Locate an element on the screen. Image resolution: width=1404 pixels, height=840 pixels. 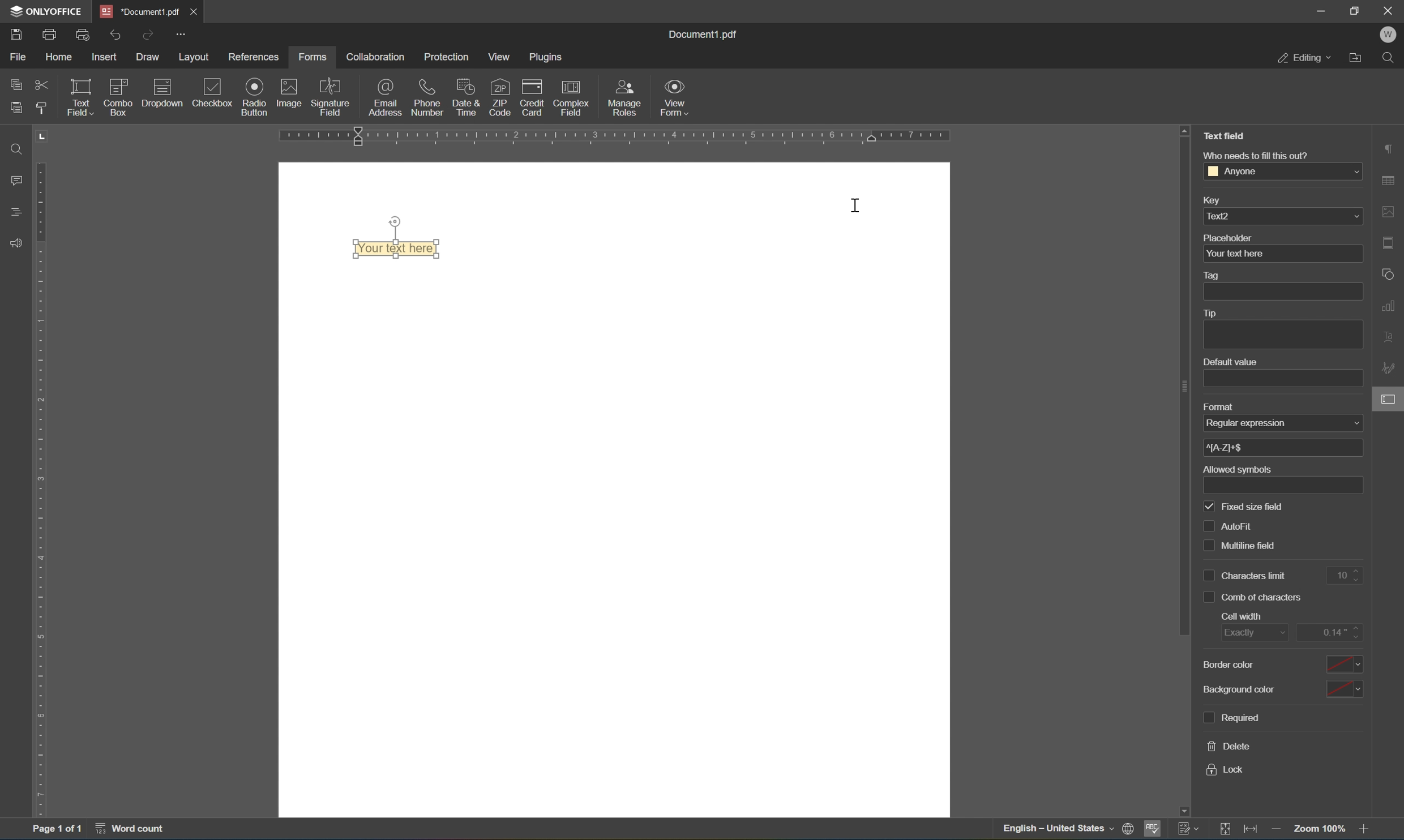
cursor is located at coordinates (859, 205).